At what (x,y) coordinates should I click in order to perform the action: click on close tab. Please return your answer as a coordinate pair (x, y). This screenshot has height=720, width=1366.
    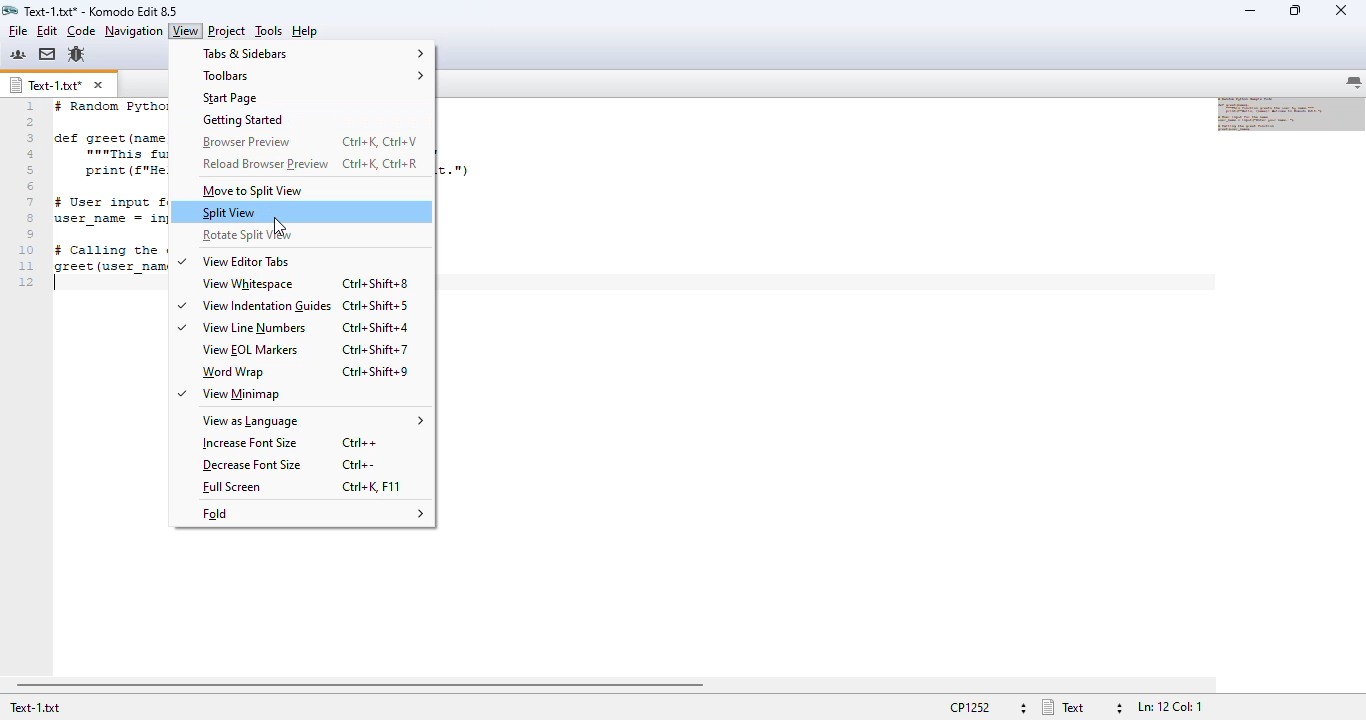
    Looking at the image, I should click on (98, 85).